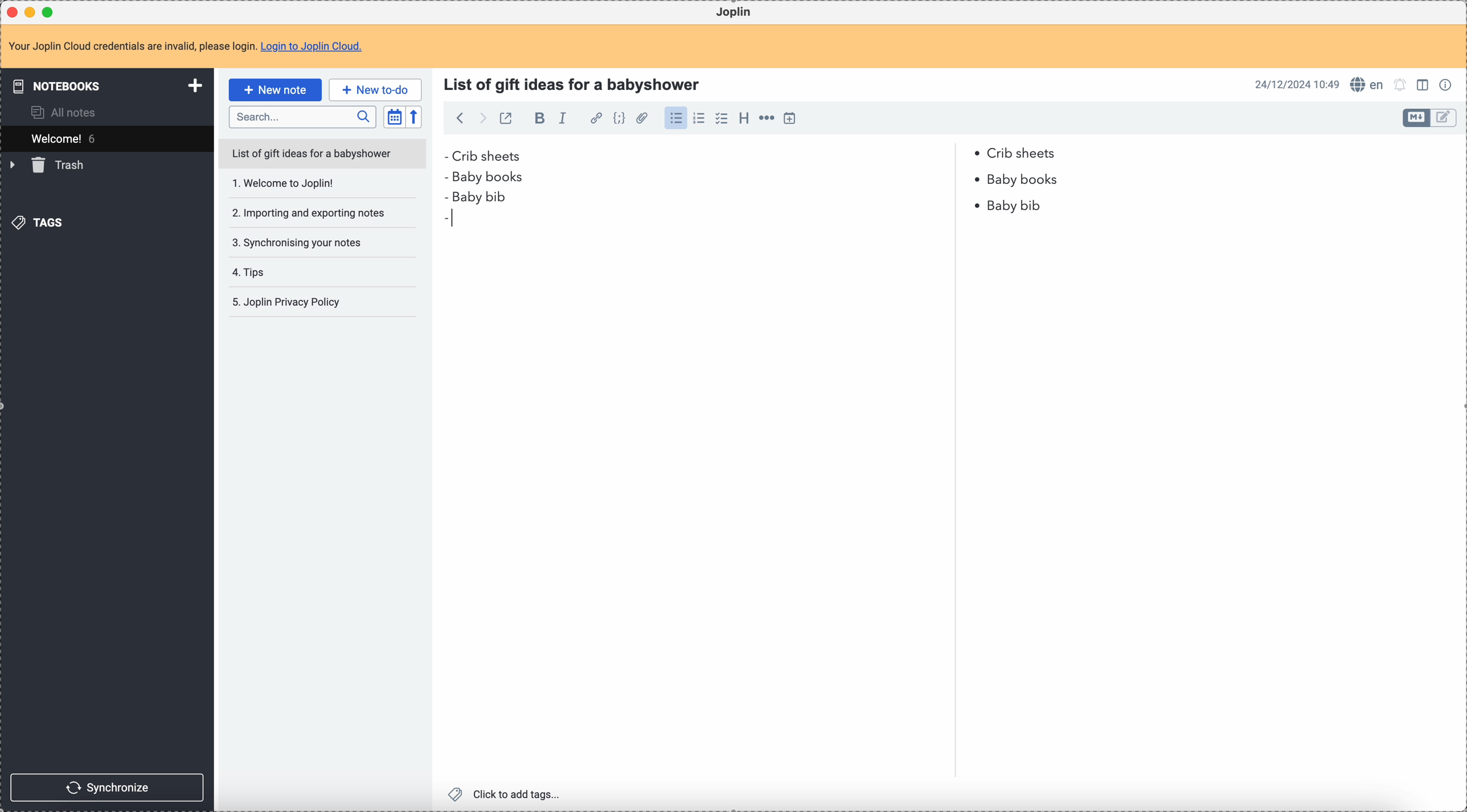 This screenshot has height=812, width=1467. What do you see at coordinates (452, 217) in the screenshot?
I see `cursor` at bounding box center [452, 217].